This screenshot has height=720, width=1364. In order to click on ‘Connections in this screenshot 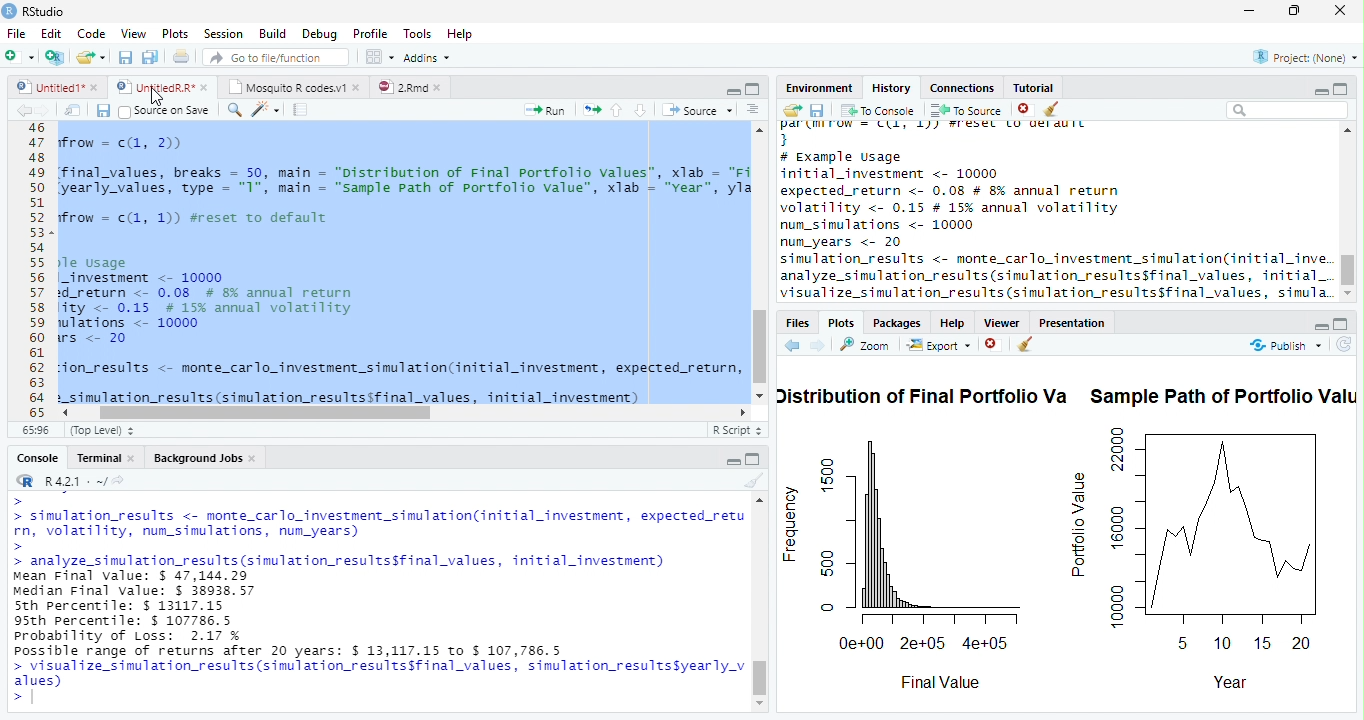, I will do `click(959, 86)`.